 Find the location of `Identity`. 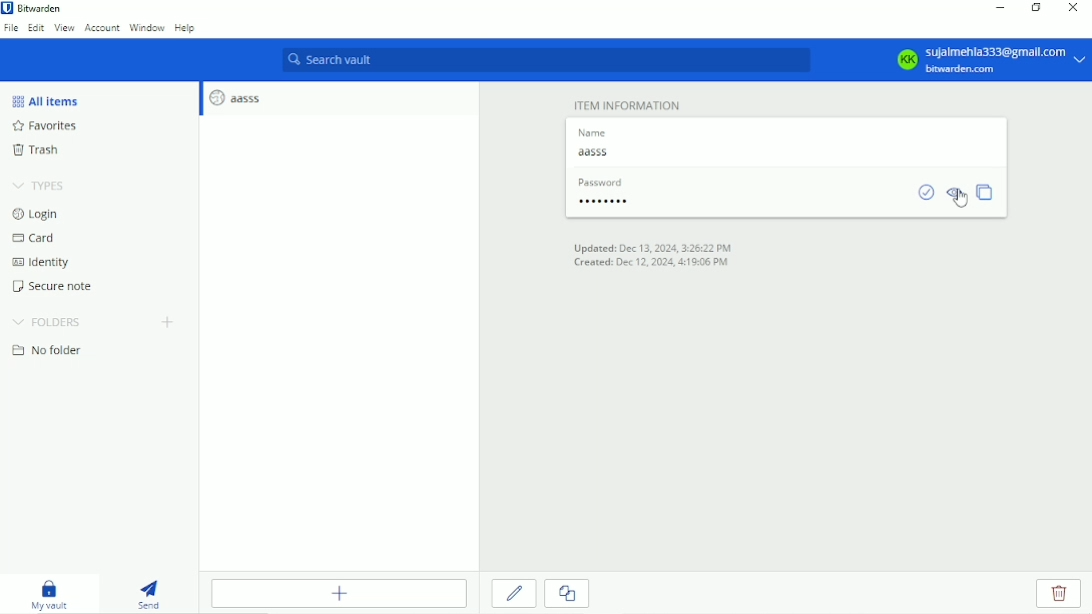

Identity is located at coordinates (44, 264).